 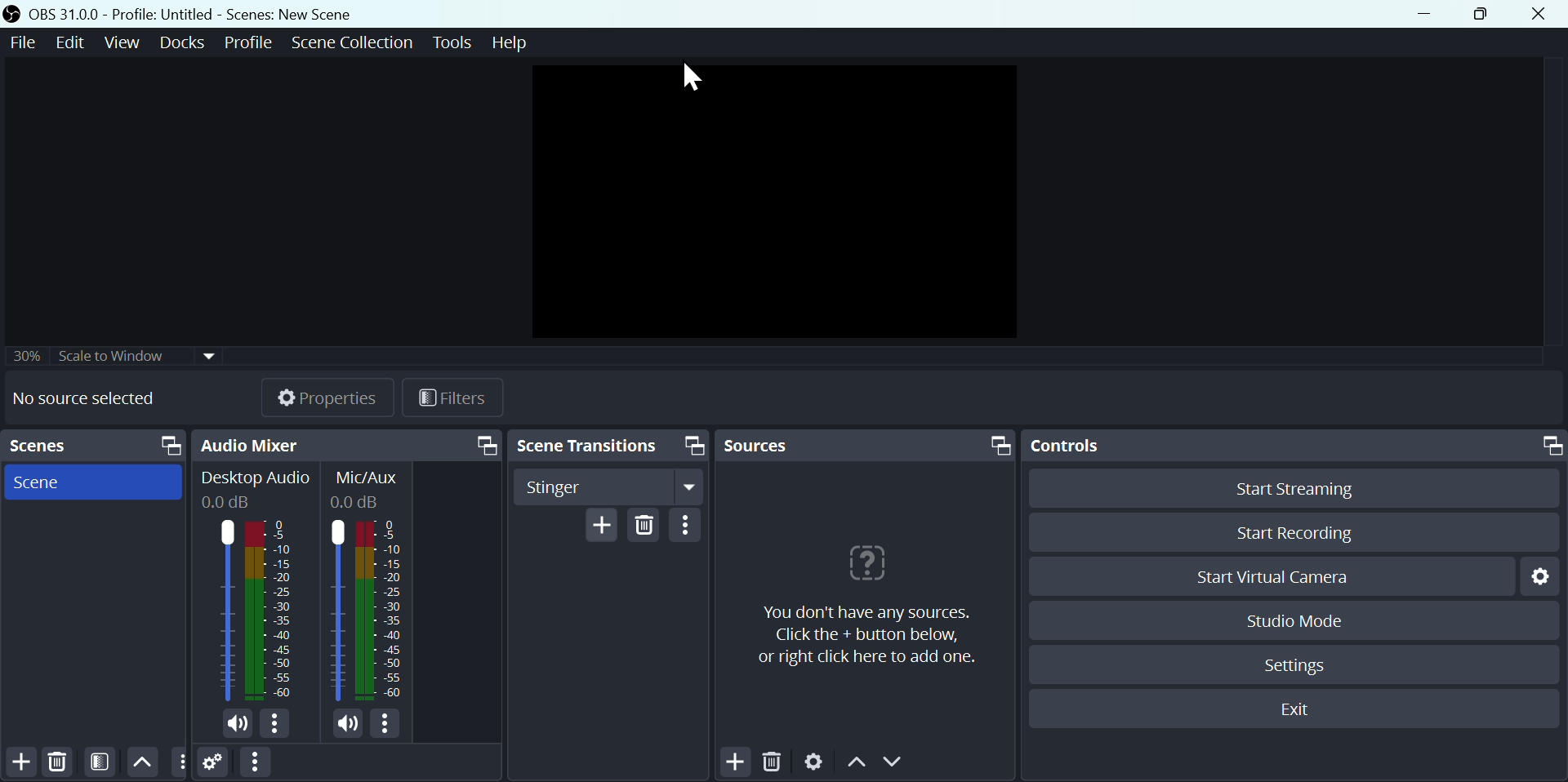 I want to click on Audio bar, so click(x=253, y=610).